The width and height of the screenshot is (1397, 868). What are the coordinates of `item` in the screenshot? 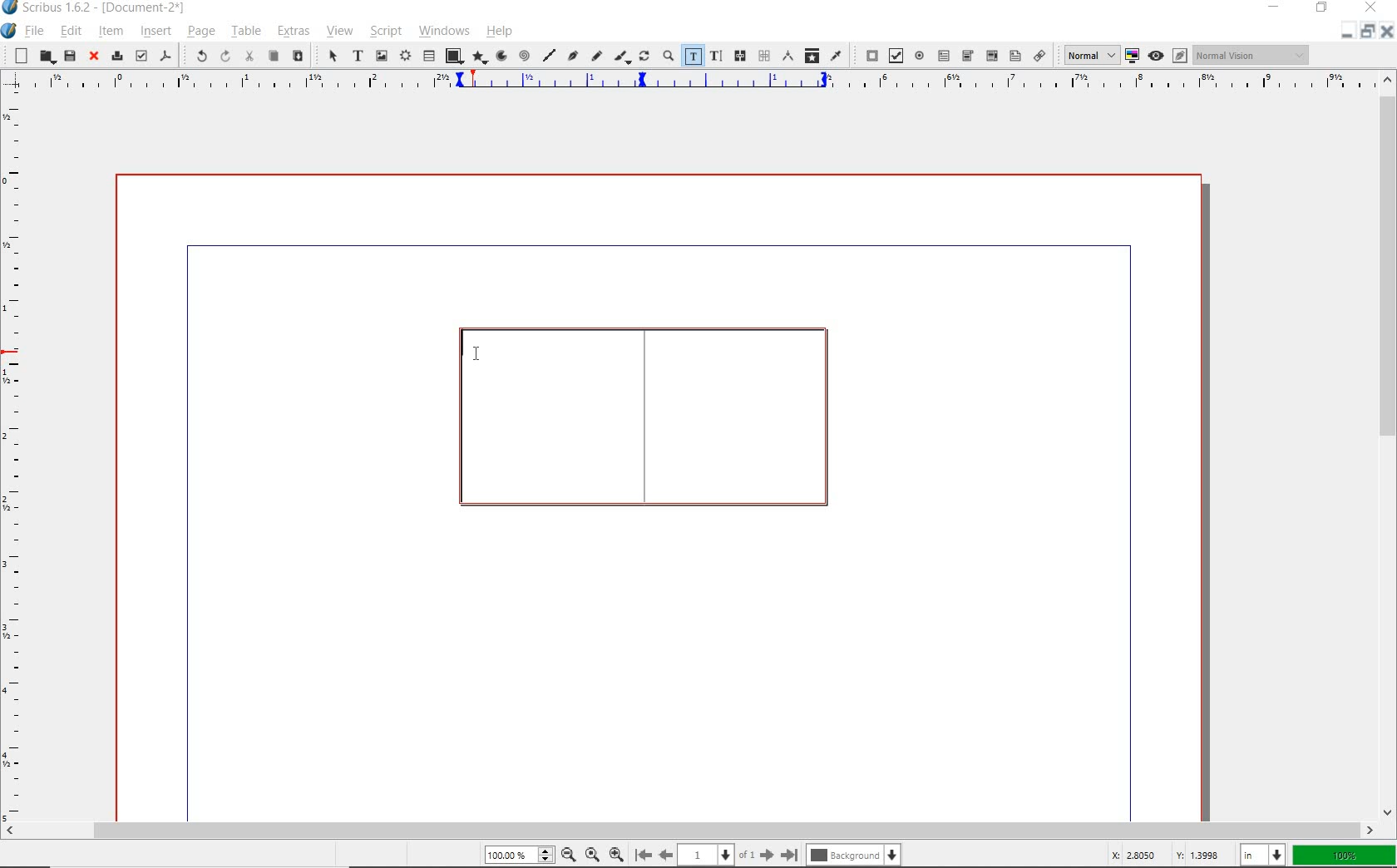 It's located at (113, 32).